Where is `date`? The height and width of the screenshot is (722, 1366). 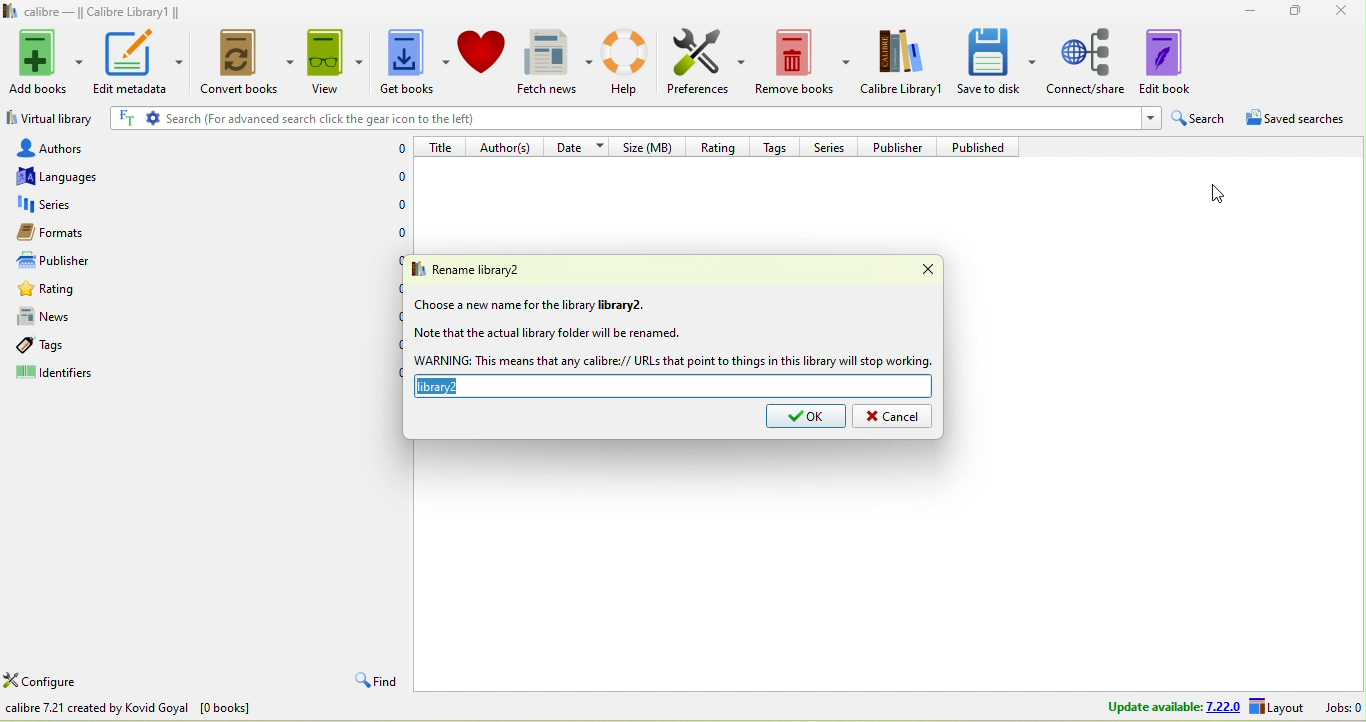
date is located at coordinates (580, 145).